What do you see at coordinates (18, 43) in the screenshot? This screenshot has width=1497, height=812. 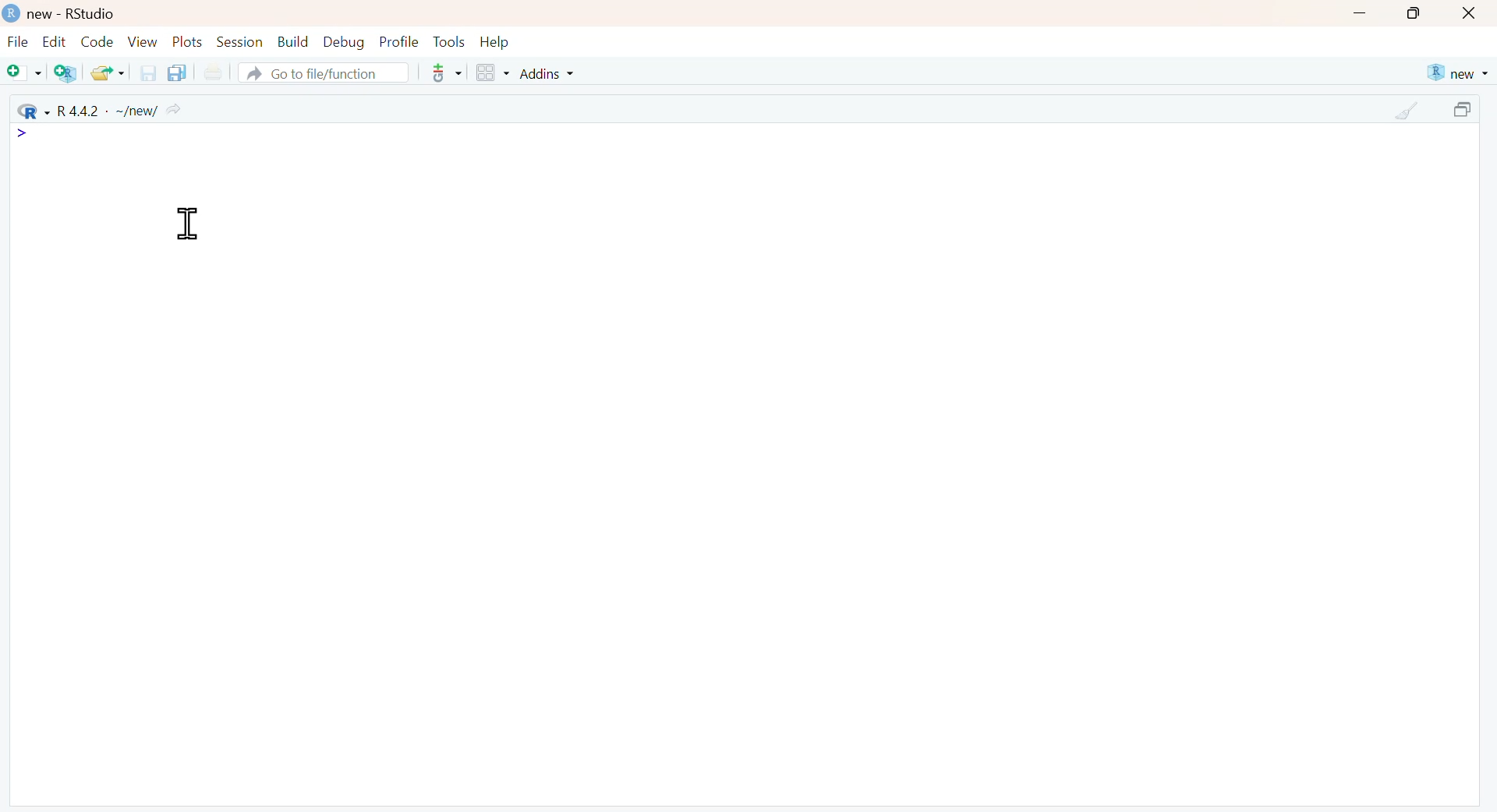 I see `File` at bounding box center [18, 43].